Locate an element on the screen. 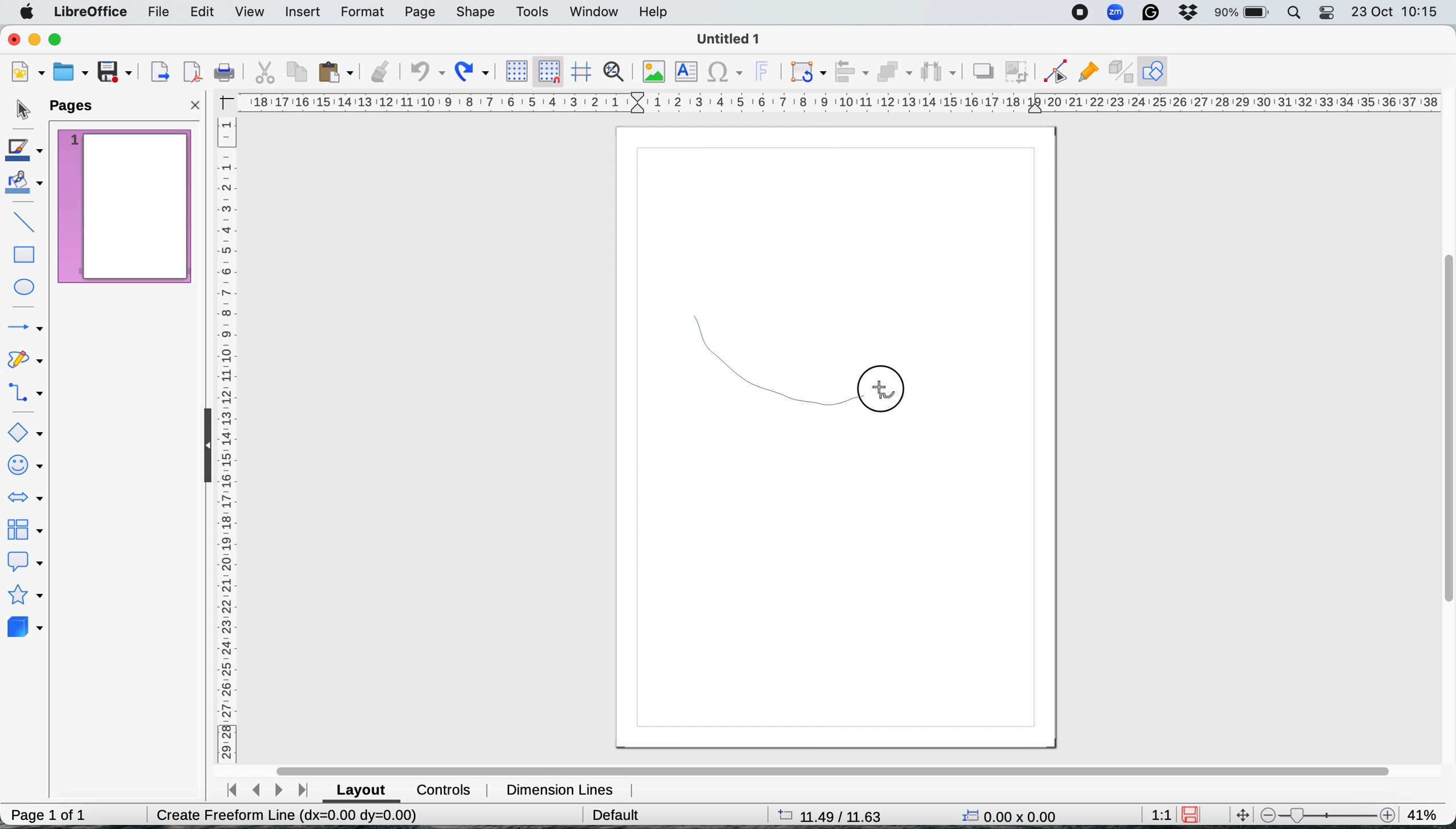  crop image is located at coordinates (1019, 73).